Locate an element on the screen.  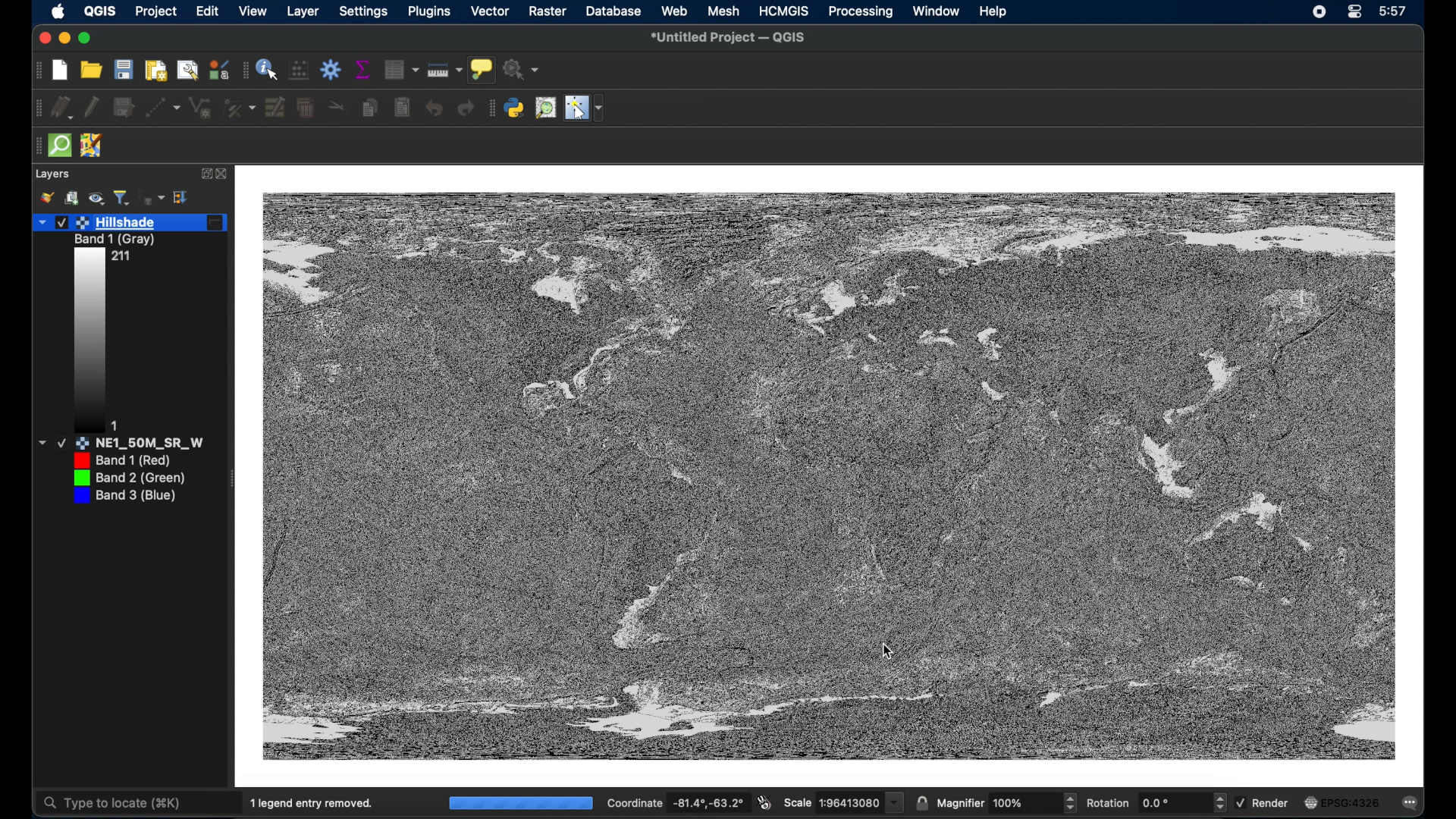
osm place search is located at coordinates (545, 108).